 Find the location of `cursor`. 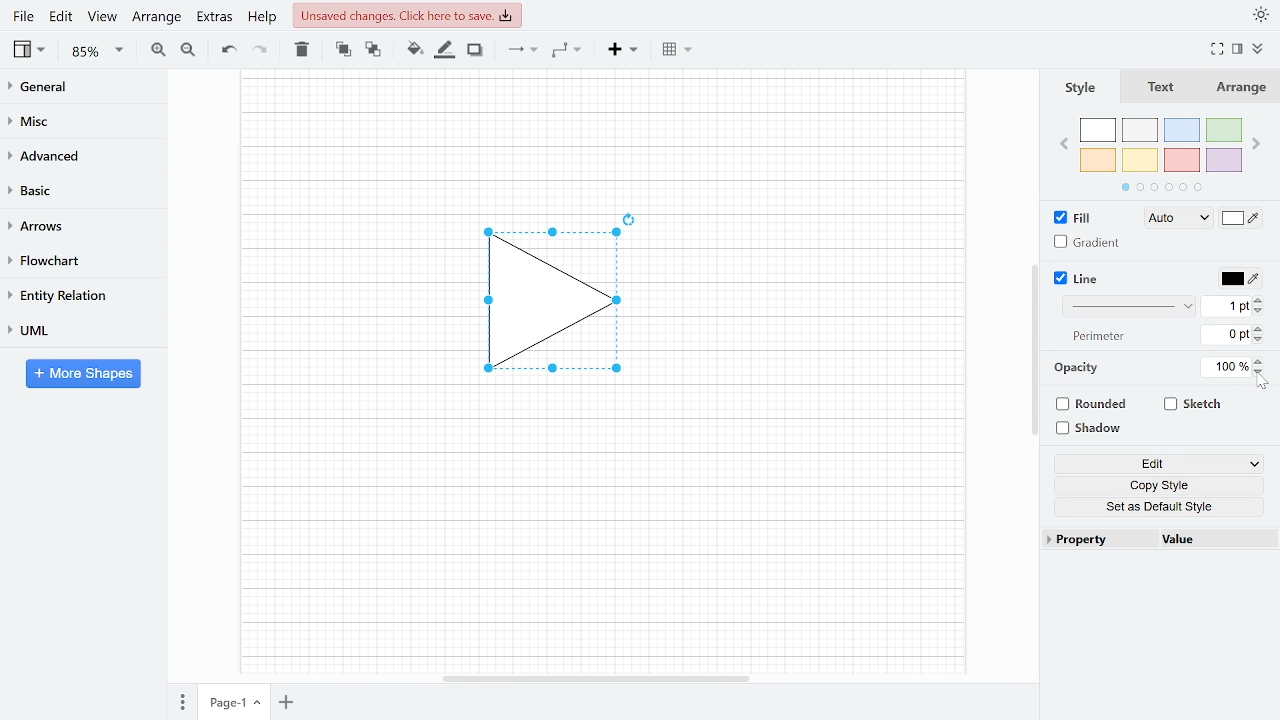

cursor is located at coordinates (1264, 383).